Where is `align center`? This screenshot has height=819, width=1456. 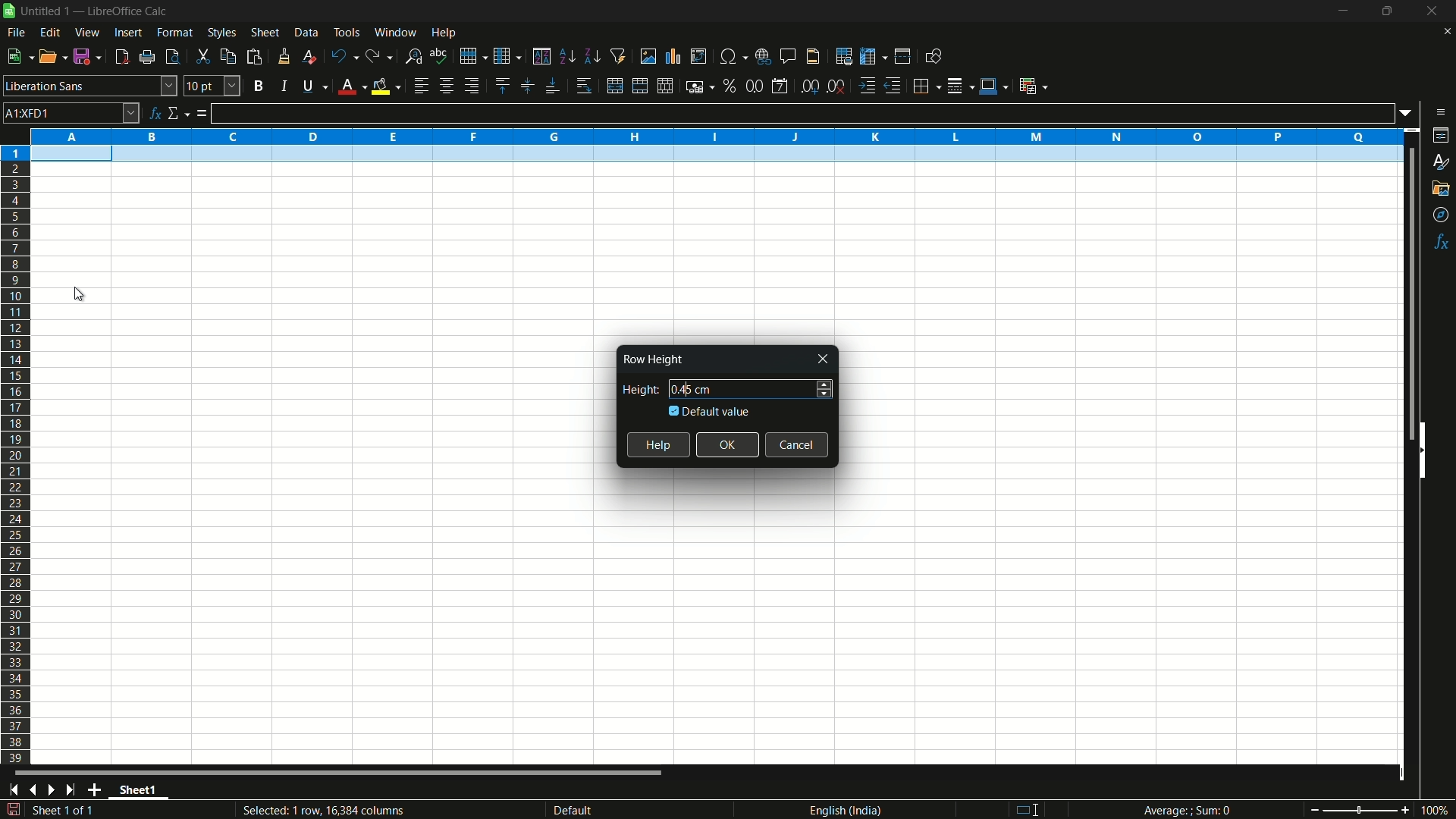 align center is located at coordinates (446, 86).